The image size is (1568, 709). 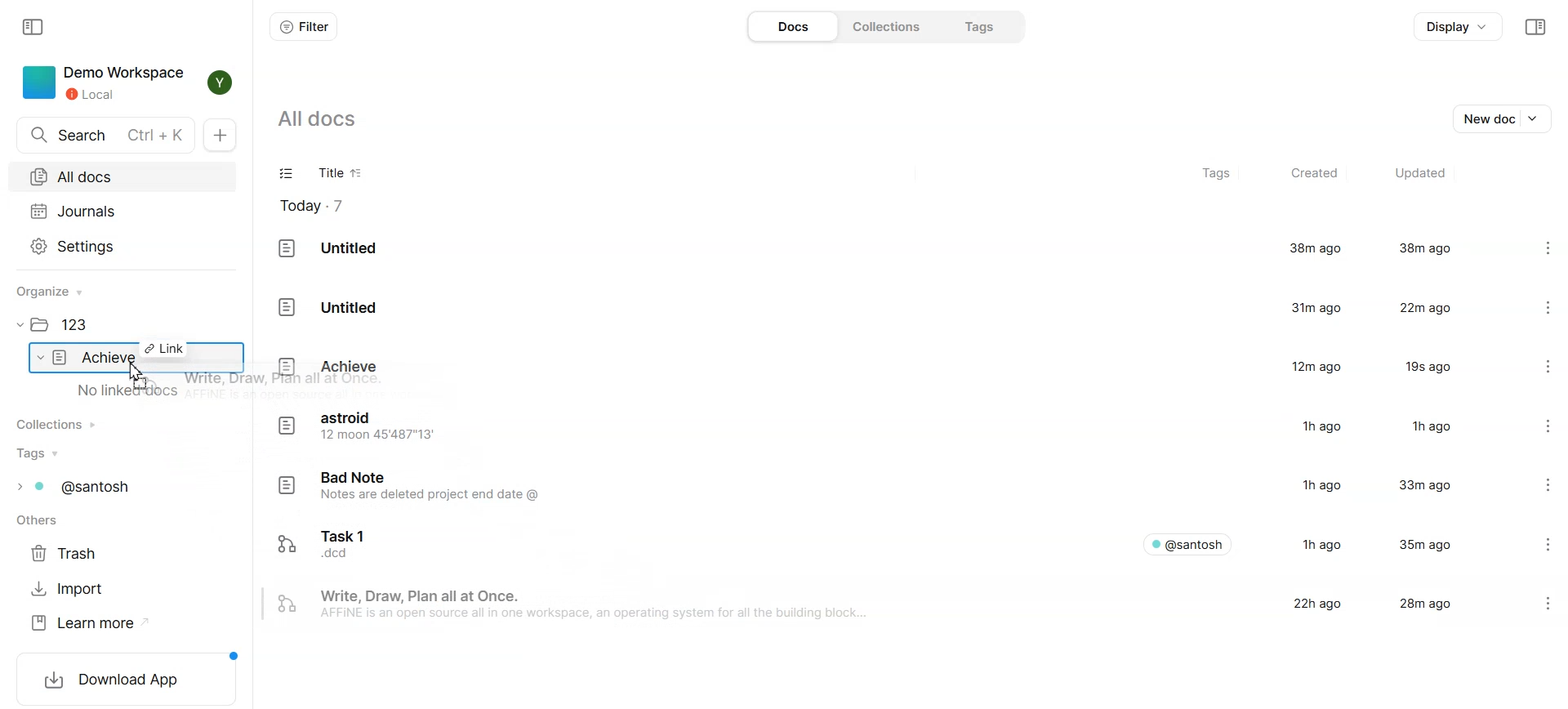 What do you see at coordinates (63, 424) in the screenshot?
I see `Collections` at bounding box center [63, 424].